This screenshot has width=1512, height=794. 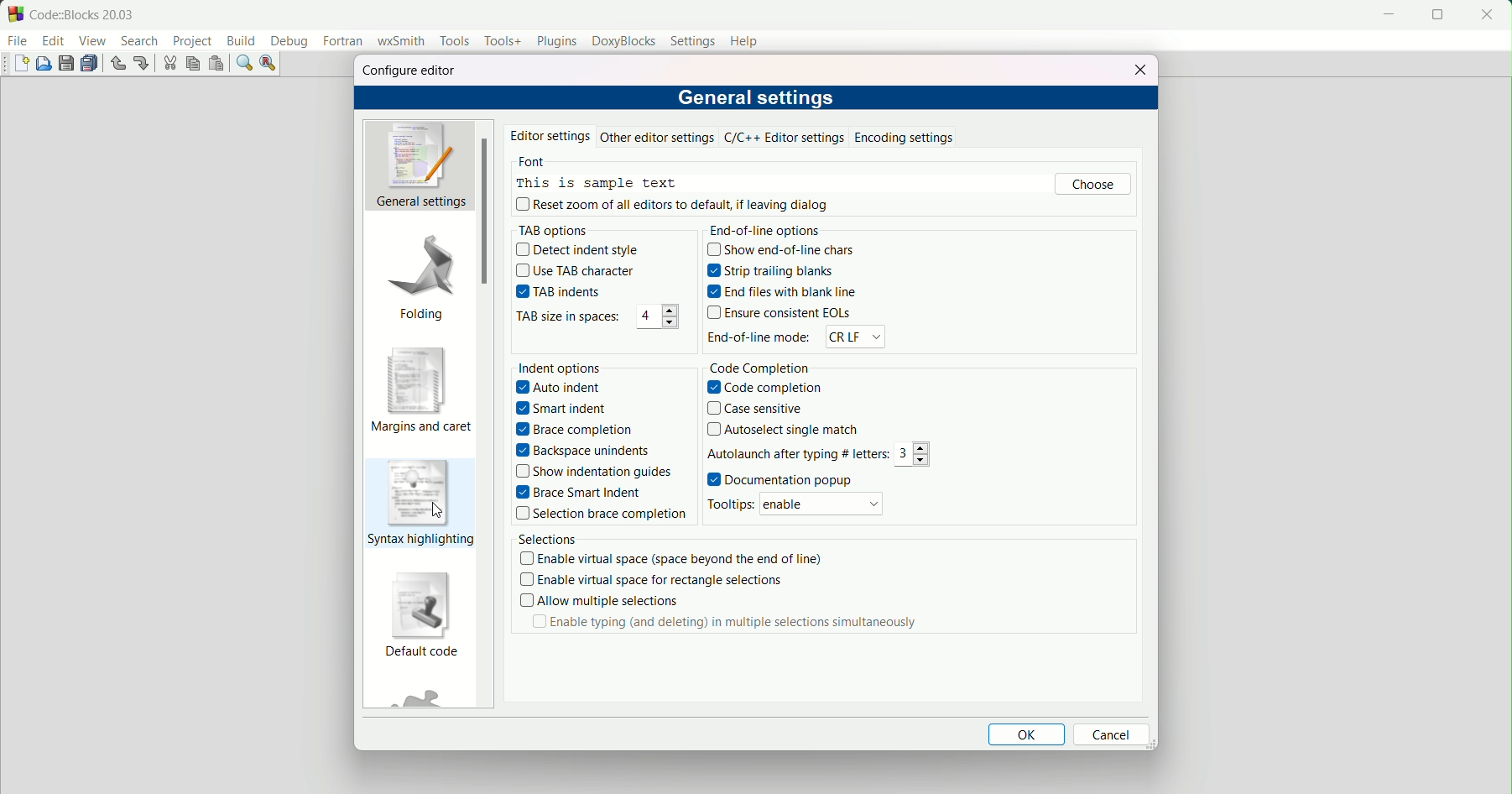 I want to click on brace smart indent, so click(x=577, y=493).